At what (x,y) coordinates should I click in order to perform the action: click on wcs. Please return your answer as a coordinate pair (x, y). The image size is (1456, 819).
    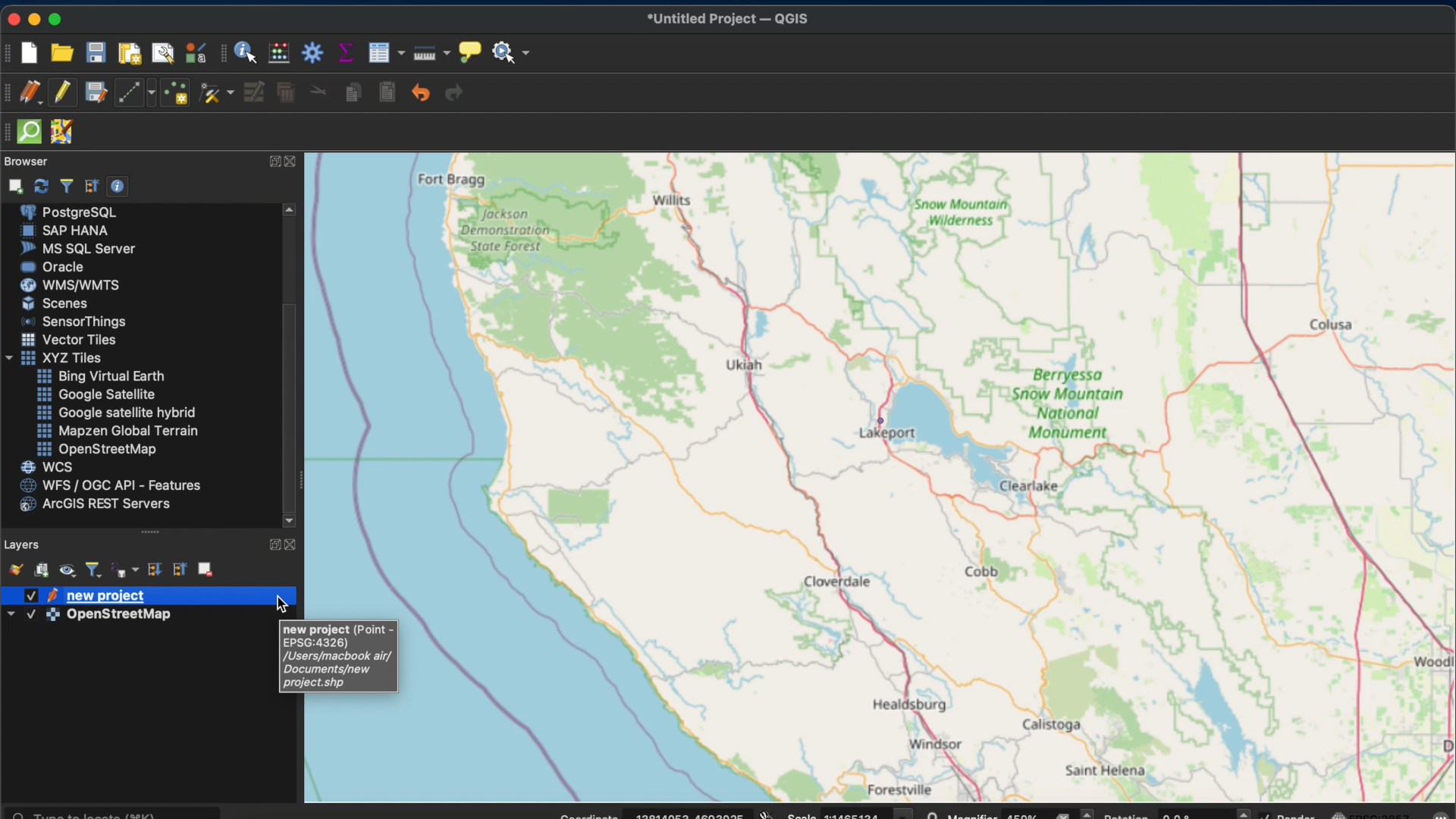
    Looking at the image, I should click on (46, 466).